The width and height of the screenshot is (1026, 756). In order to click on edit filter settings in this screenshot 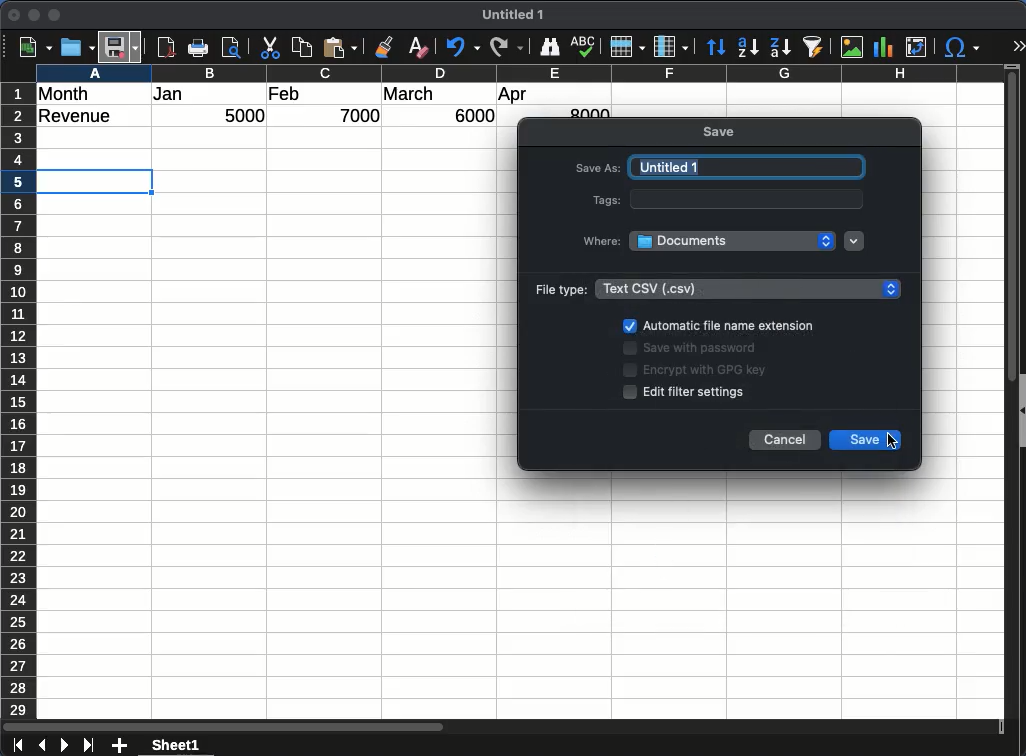, I will do `click(699, 392)`.